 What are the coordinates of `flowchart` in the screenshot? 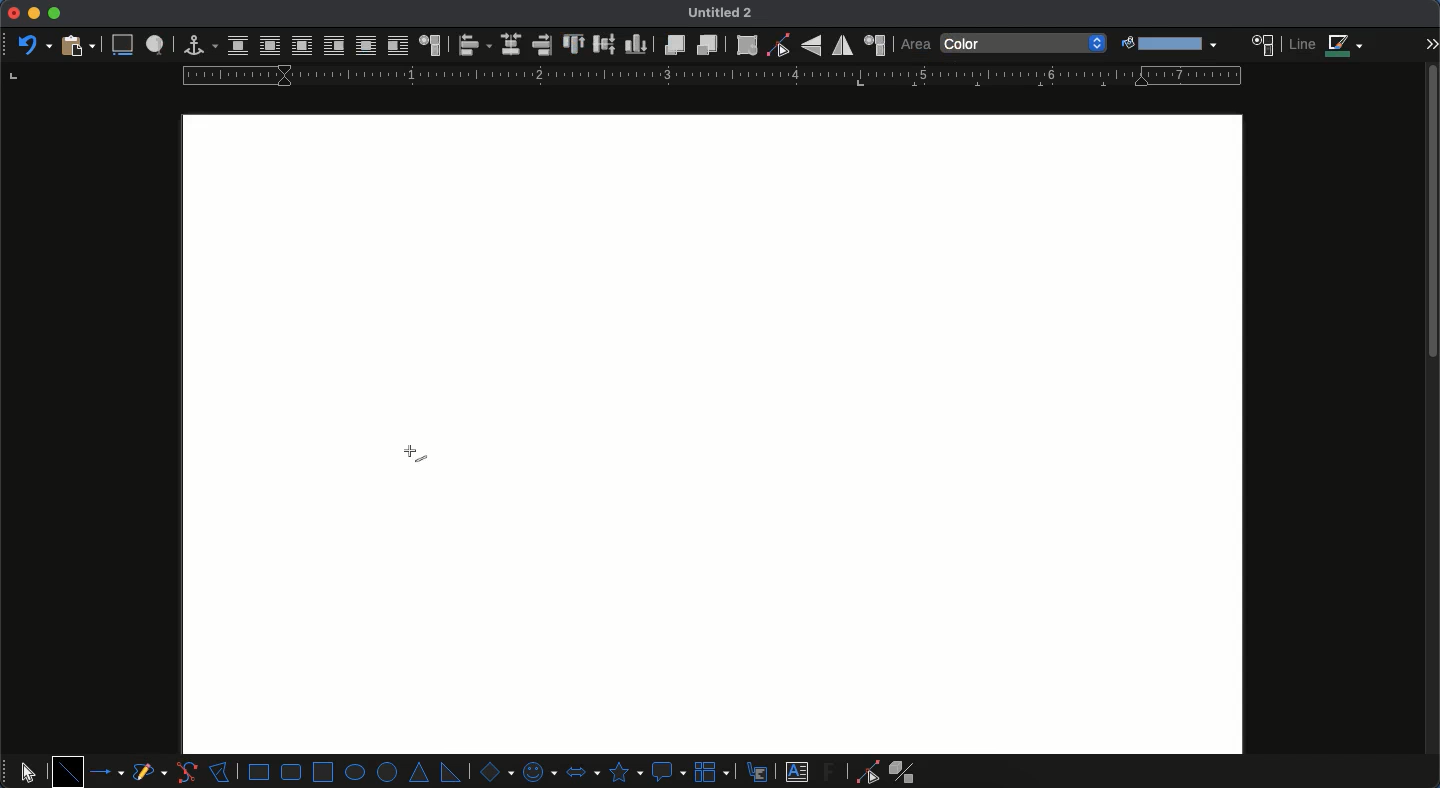 It's located at (714, 771).